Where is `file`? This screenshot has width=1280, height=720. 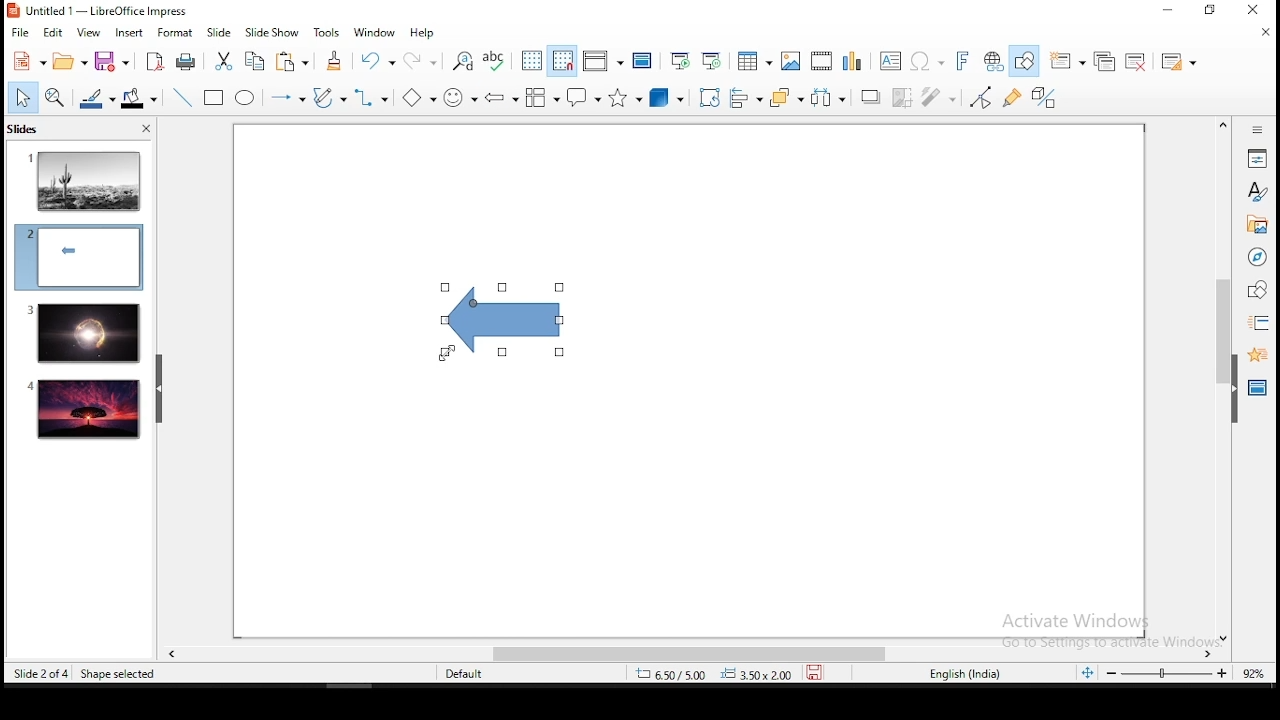 file is located at coordinates (21, 33).